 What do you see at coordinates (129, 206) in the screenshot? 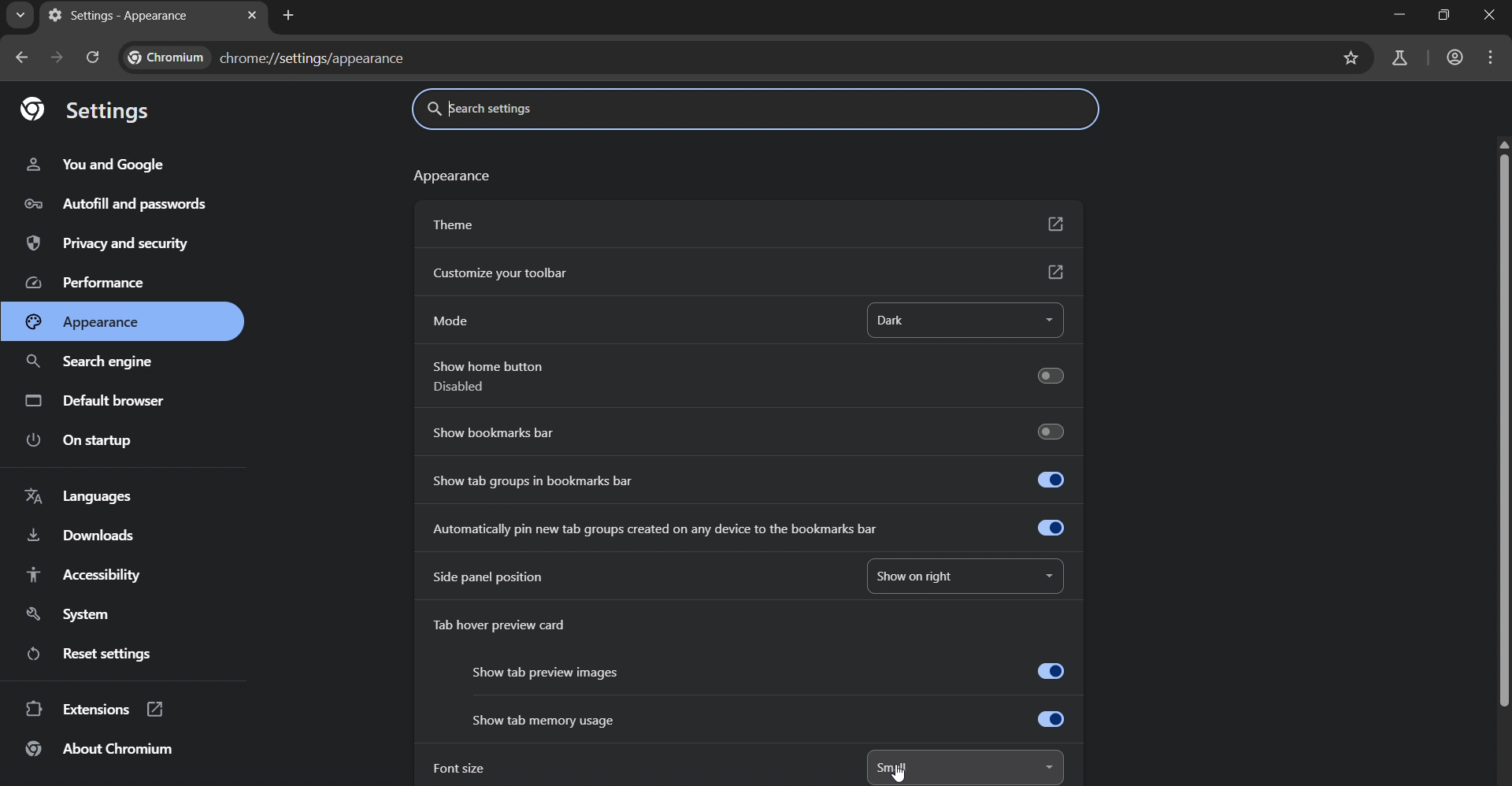
I see `autofill & passwords` at bounding box center [129, 206].